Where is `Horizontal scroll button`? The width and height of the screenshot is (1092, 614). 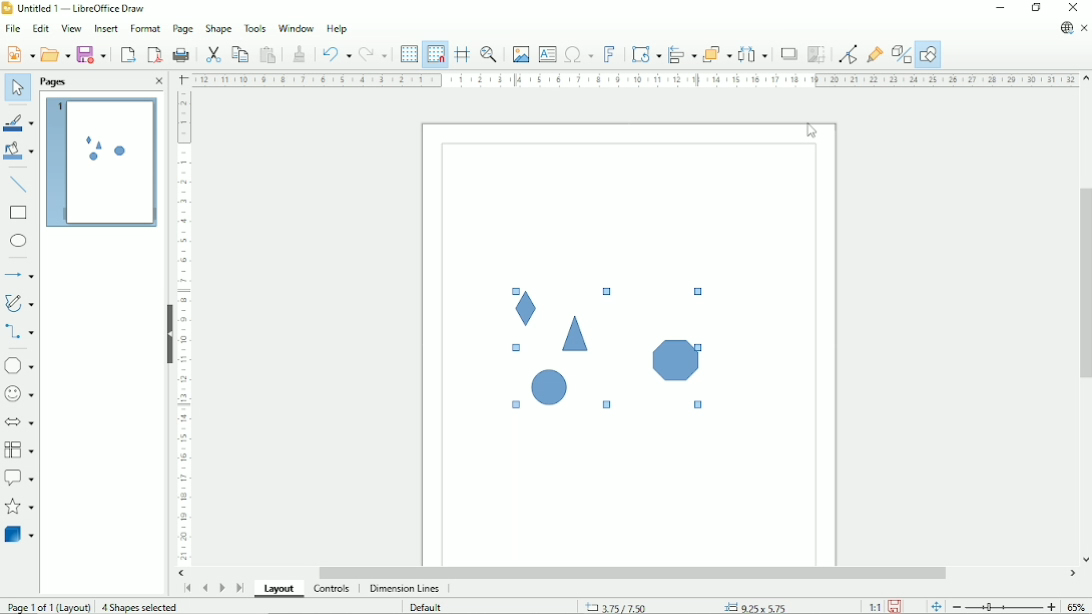 Horizontal scroll button is located at coordinates (181, 572).